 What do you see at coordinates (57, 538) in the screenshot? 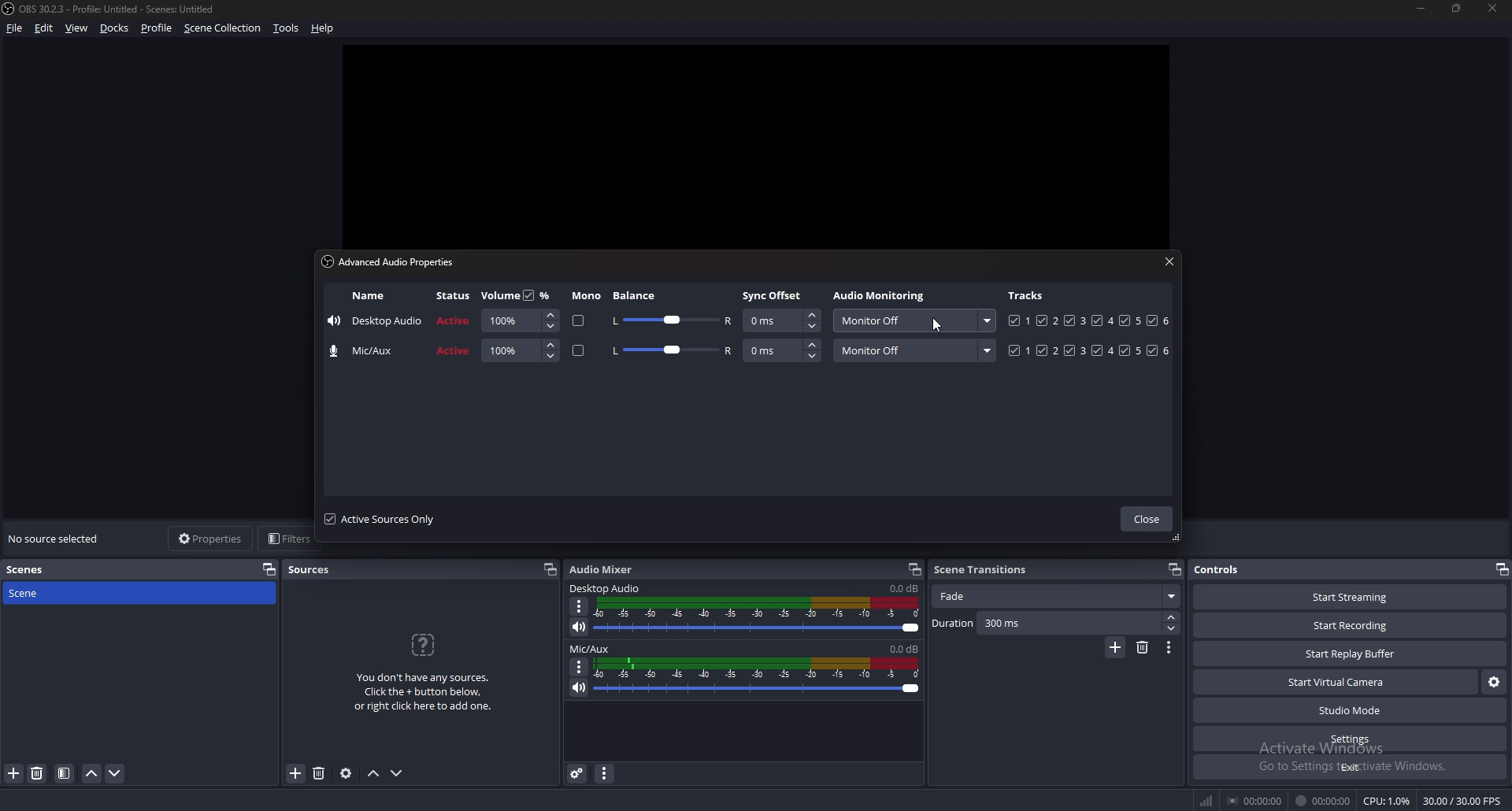
I see `no source selected` at bounding box center [57, 538].